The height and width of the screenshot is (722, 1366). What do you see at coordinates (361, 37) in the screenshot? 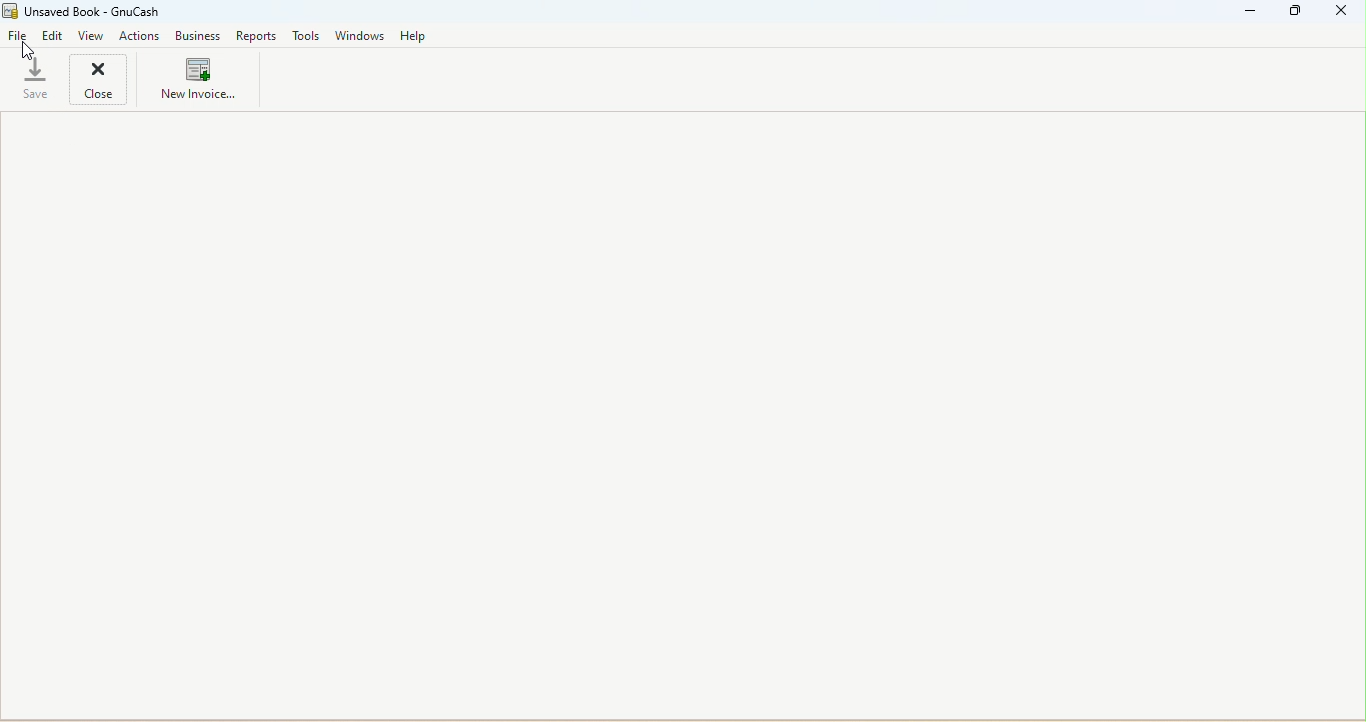
I see `Windows` at bounding box center [361, 37].